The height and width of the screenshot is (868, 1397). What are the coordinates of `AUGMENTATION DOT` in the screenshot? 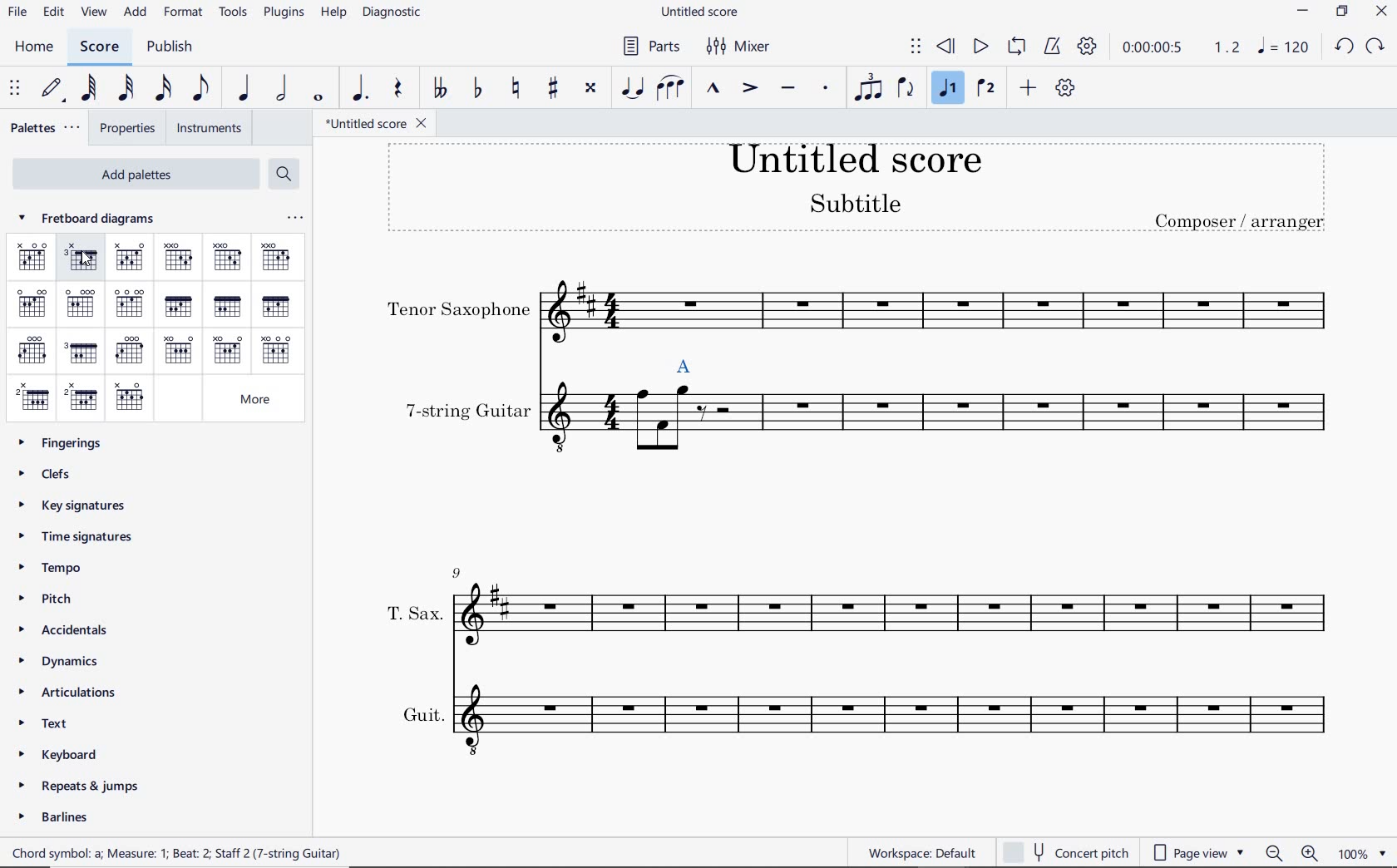 It's located at (360, 89).